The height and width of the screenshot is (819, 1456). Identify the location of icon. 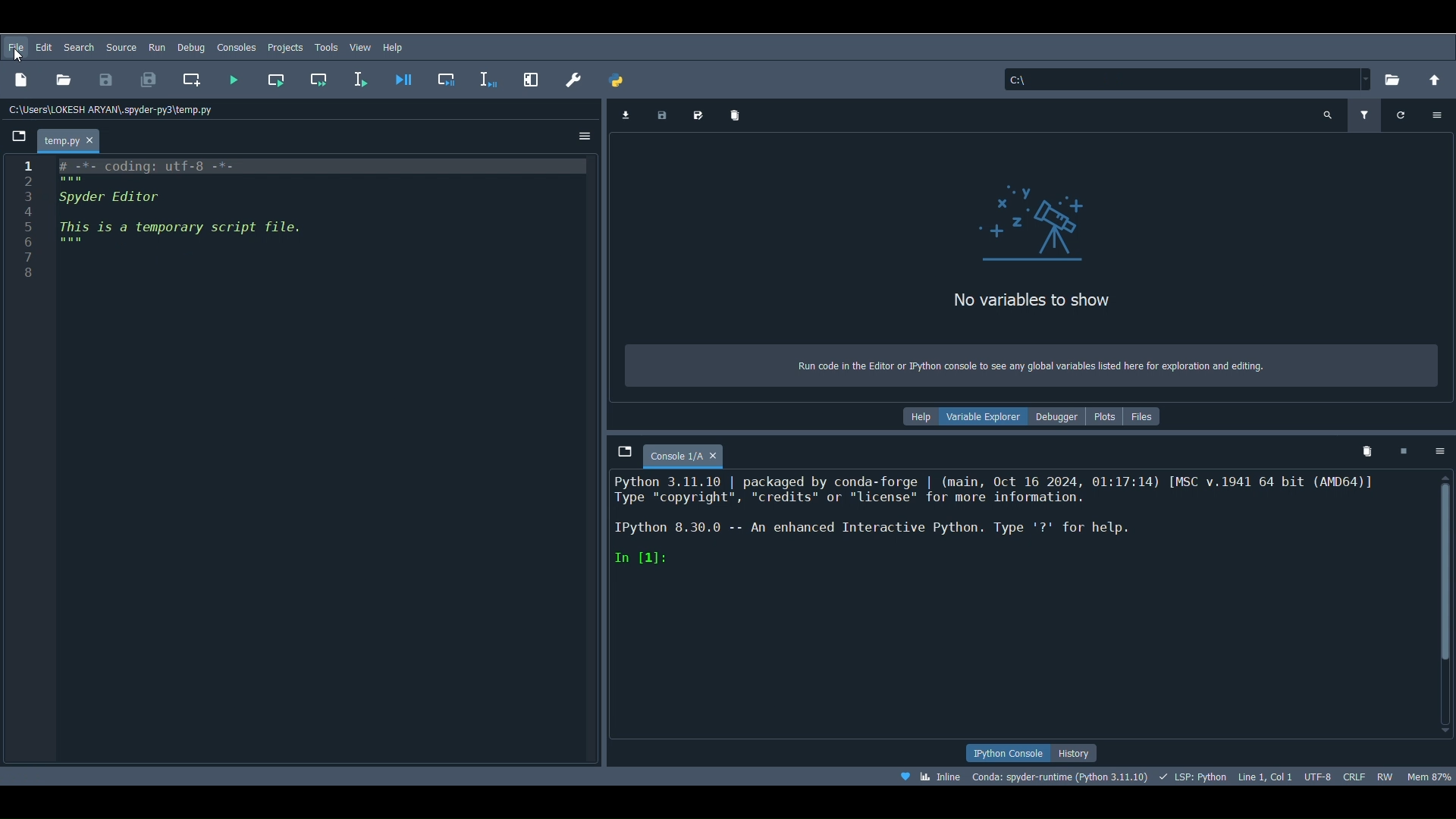
(1054, 224).